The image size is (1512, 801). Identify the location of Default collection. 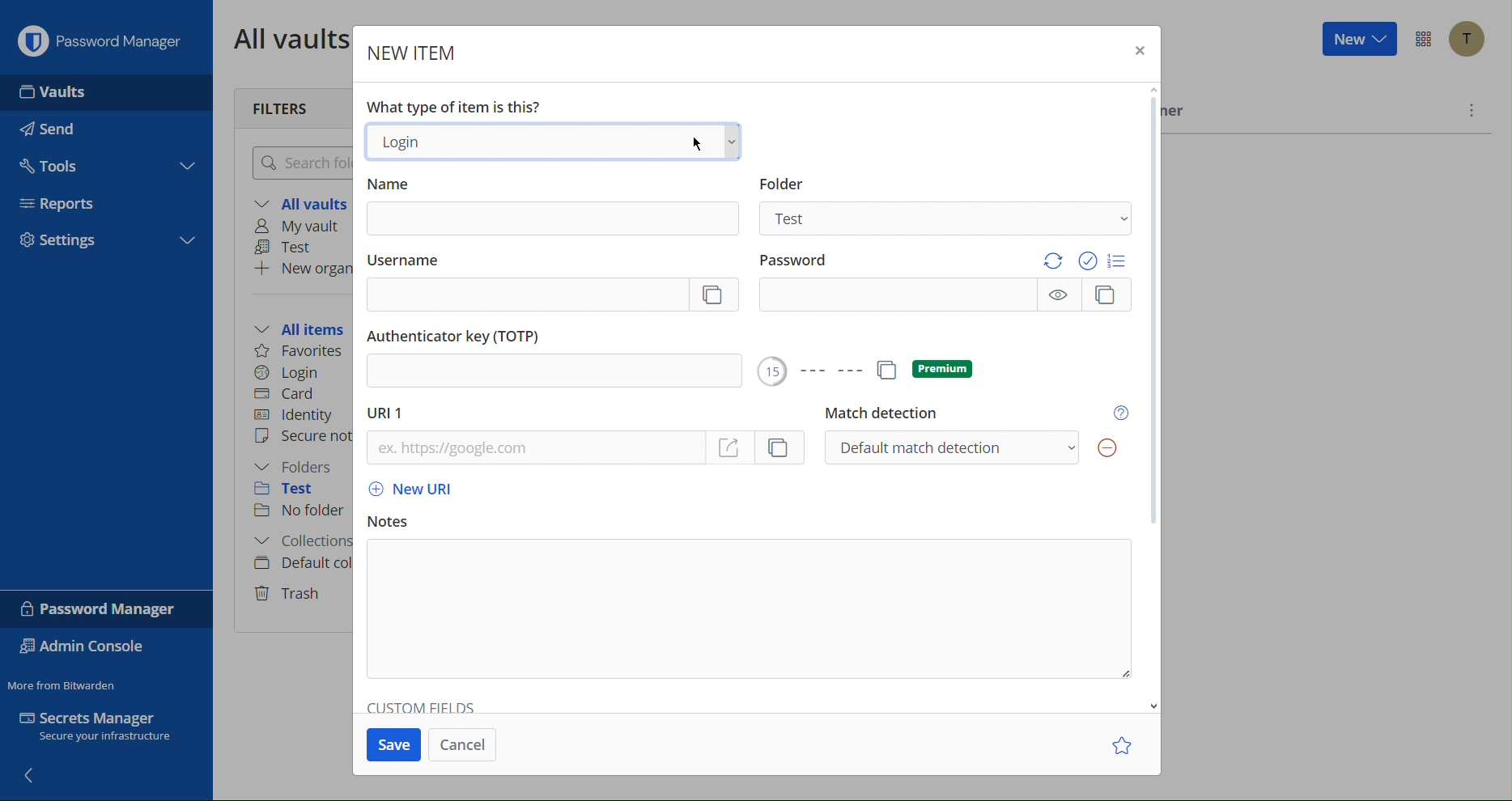
(303, 563).